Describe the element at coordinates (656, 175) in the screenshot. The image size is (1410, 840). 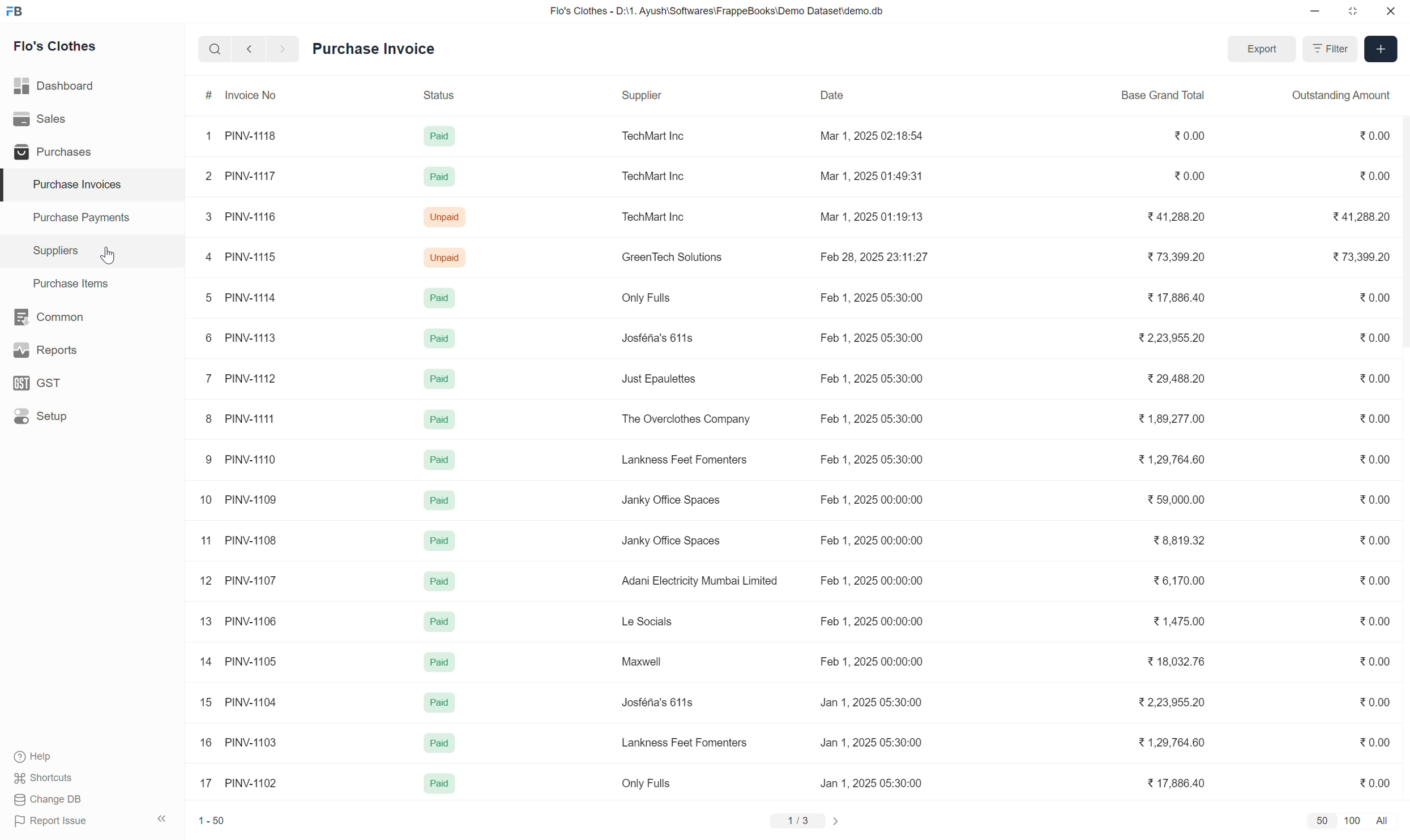
I see `TechMart Inc` at that location.